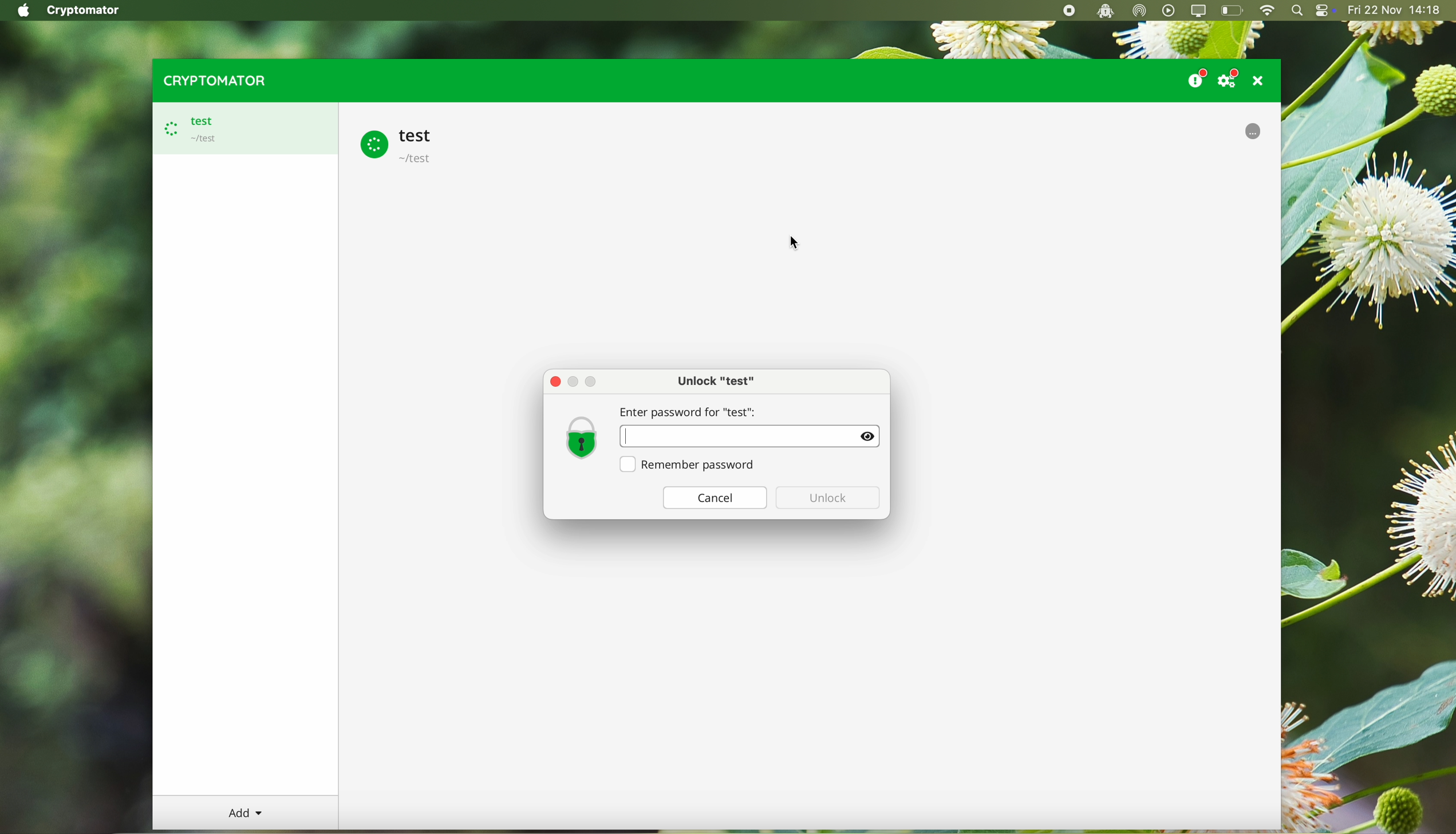  Describe the element at coordinates (1261, 80) in the screenshot. I see `close program` at that location.